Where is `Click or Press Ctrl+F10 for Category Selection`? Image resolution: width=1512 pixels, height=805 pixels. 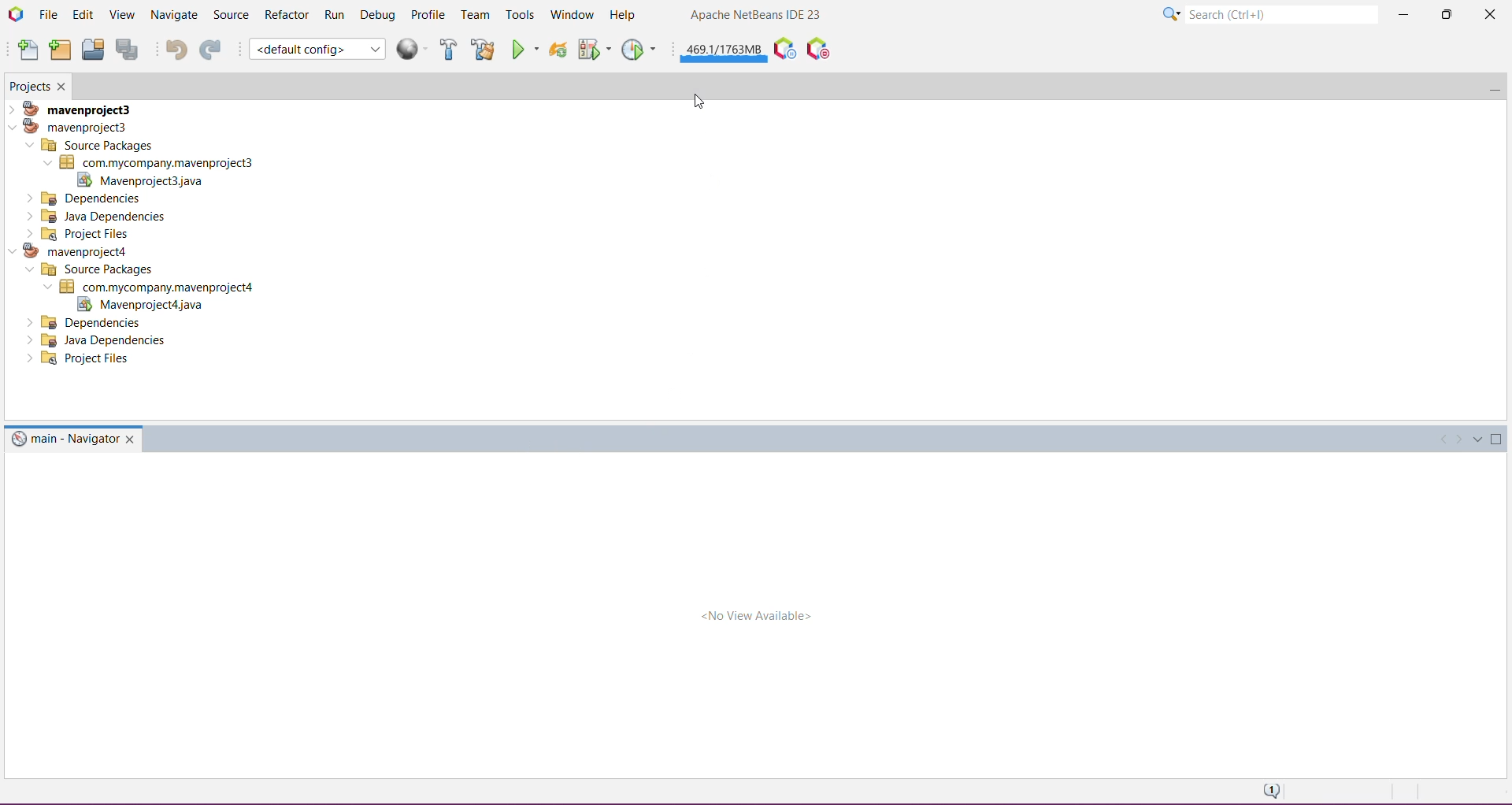
Click or Press Ctrl+F10 for Category Selection is located at coordinates (1171, 15).